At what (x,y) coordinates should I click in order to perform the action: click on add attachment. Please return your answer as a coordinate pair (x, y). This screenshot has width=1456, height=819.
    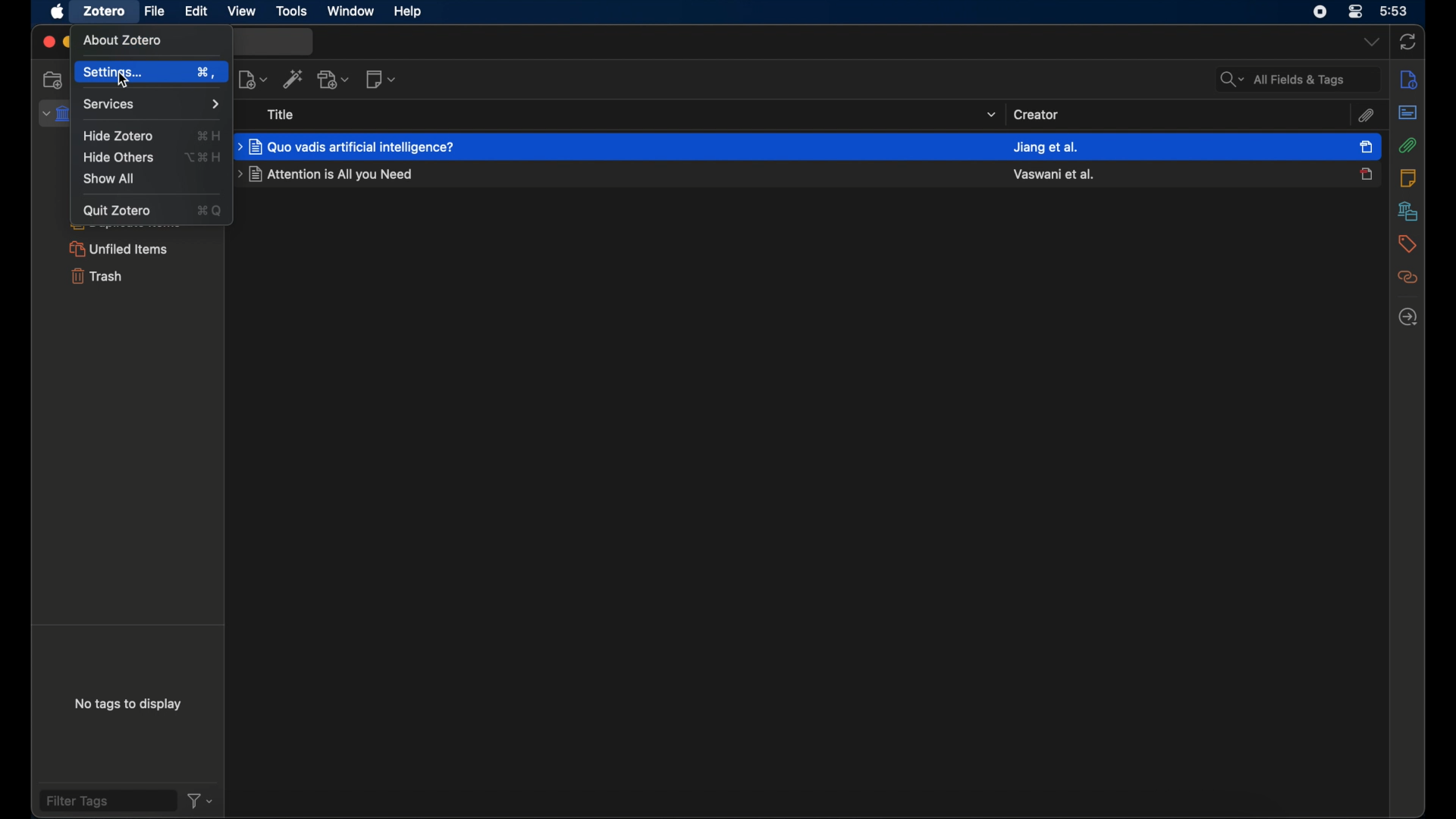
    Looking at the image, I should click on (333, 80).